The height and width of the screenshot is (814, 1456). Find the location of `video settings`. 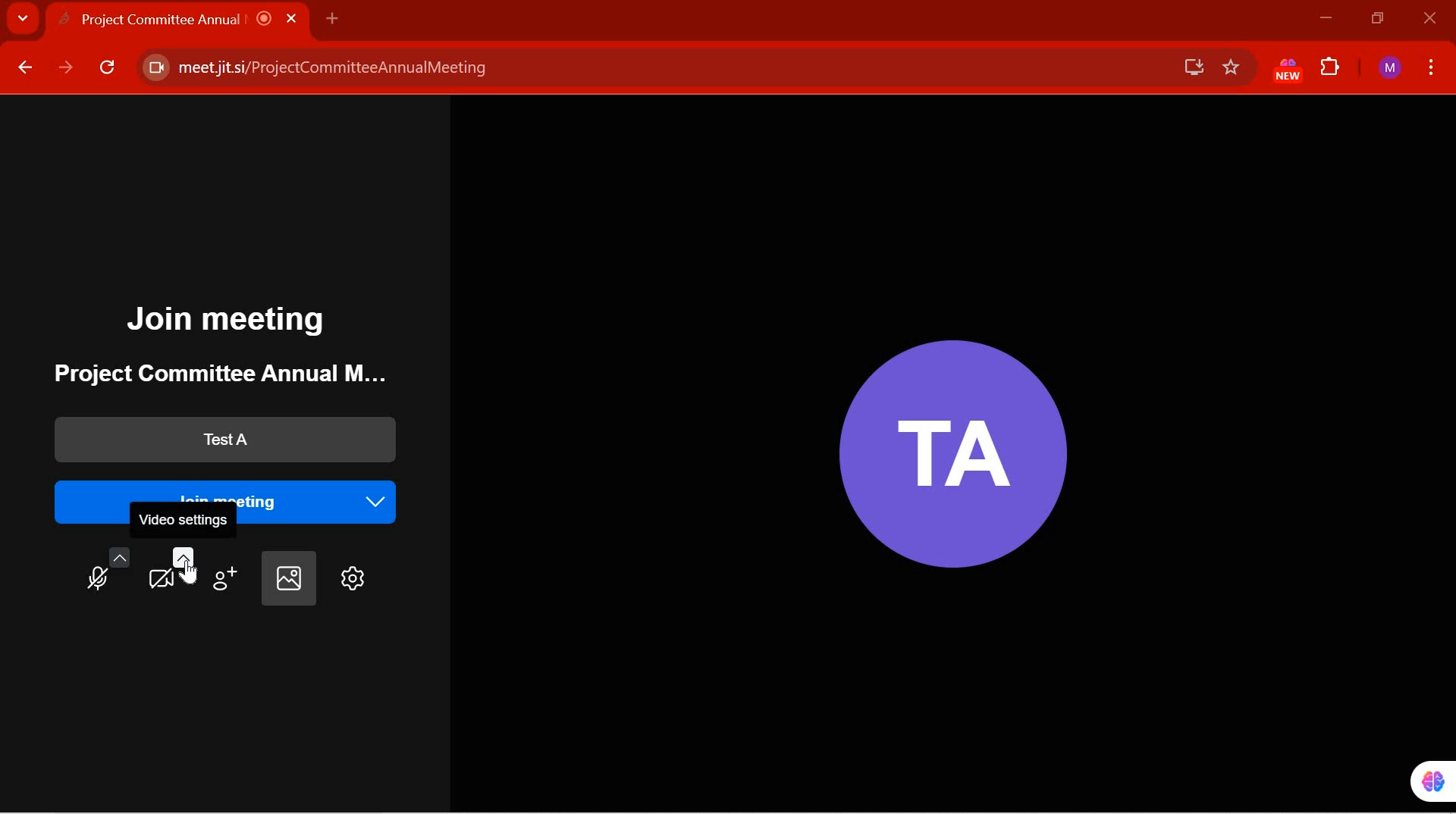

video settings is located at coordinates (171, 568).